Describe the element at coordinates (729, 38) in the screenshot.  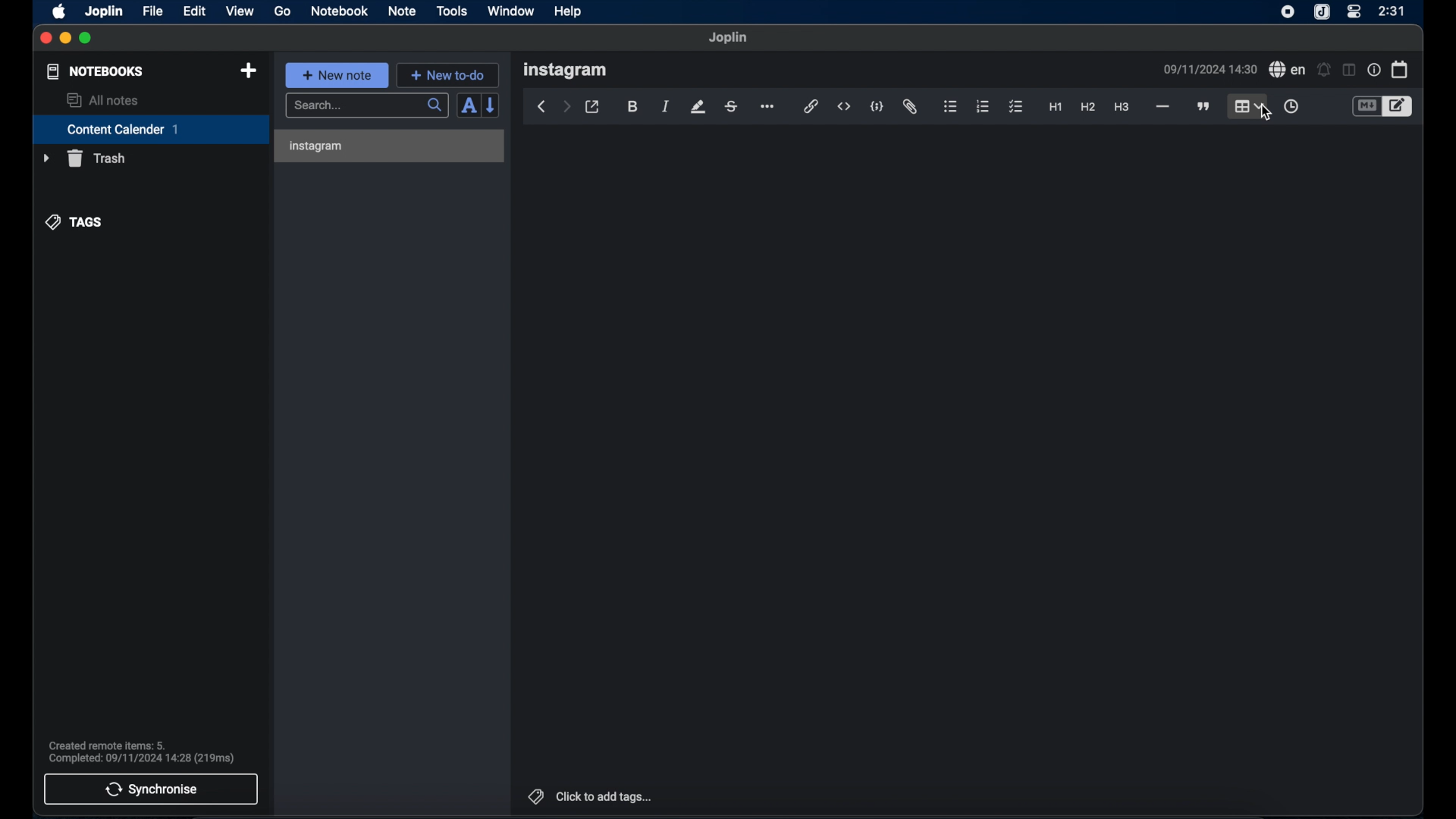
I see `Joplin` at that location.